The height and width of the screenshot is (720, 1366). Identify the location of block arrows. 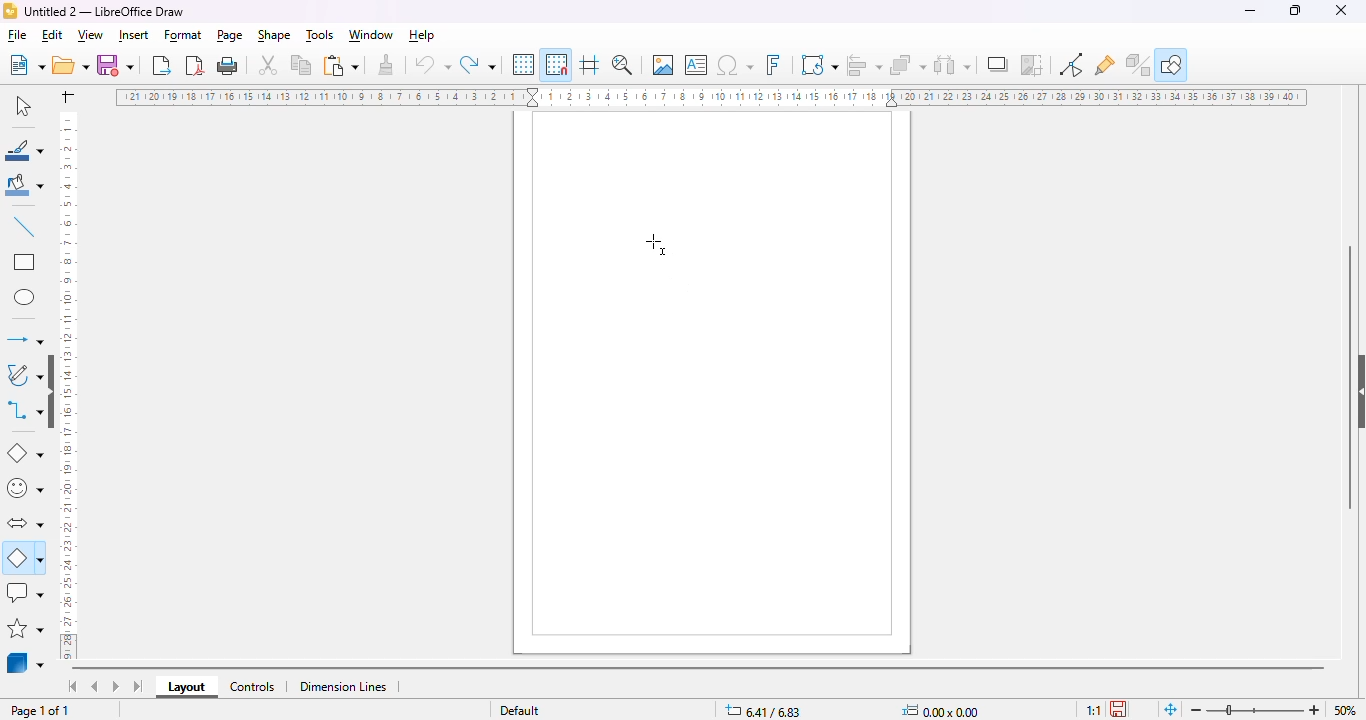
(24, 523).